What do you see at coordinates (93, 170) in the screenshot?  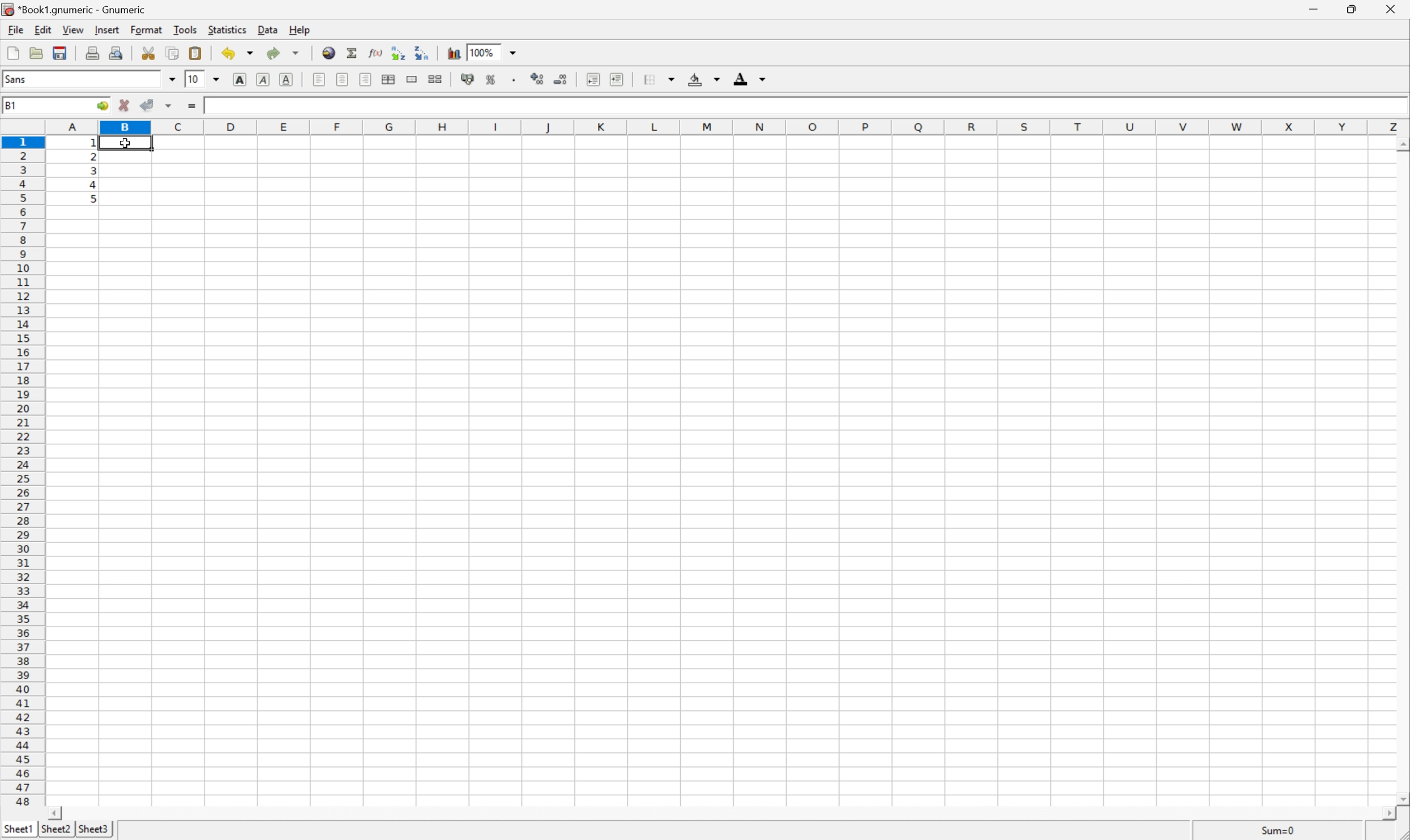 I see `3` at bounding box center [93, 170].